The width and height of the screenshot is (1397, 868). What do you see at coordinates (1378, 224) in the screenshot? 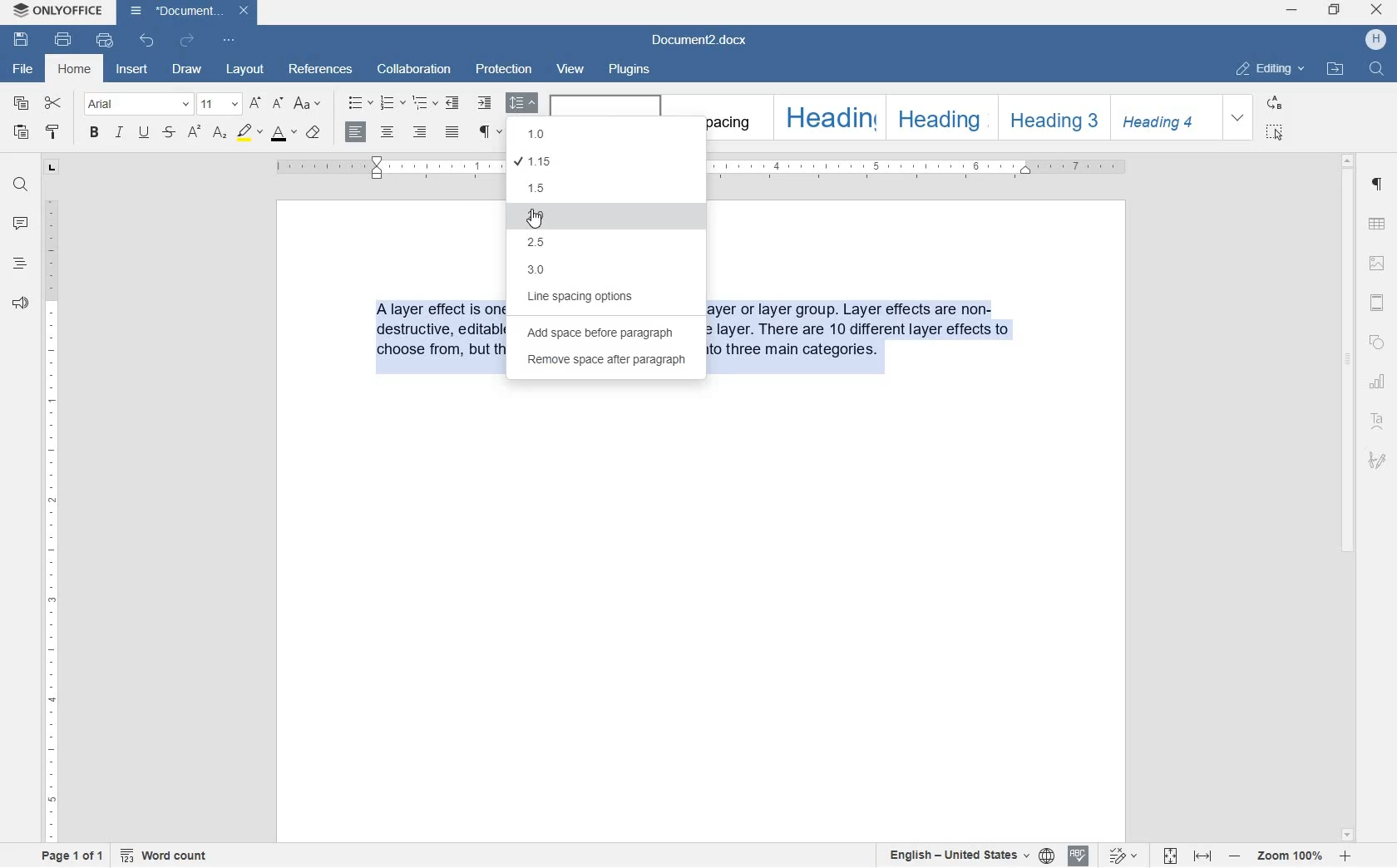
I see `table` at bounding box center [1378, 224].